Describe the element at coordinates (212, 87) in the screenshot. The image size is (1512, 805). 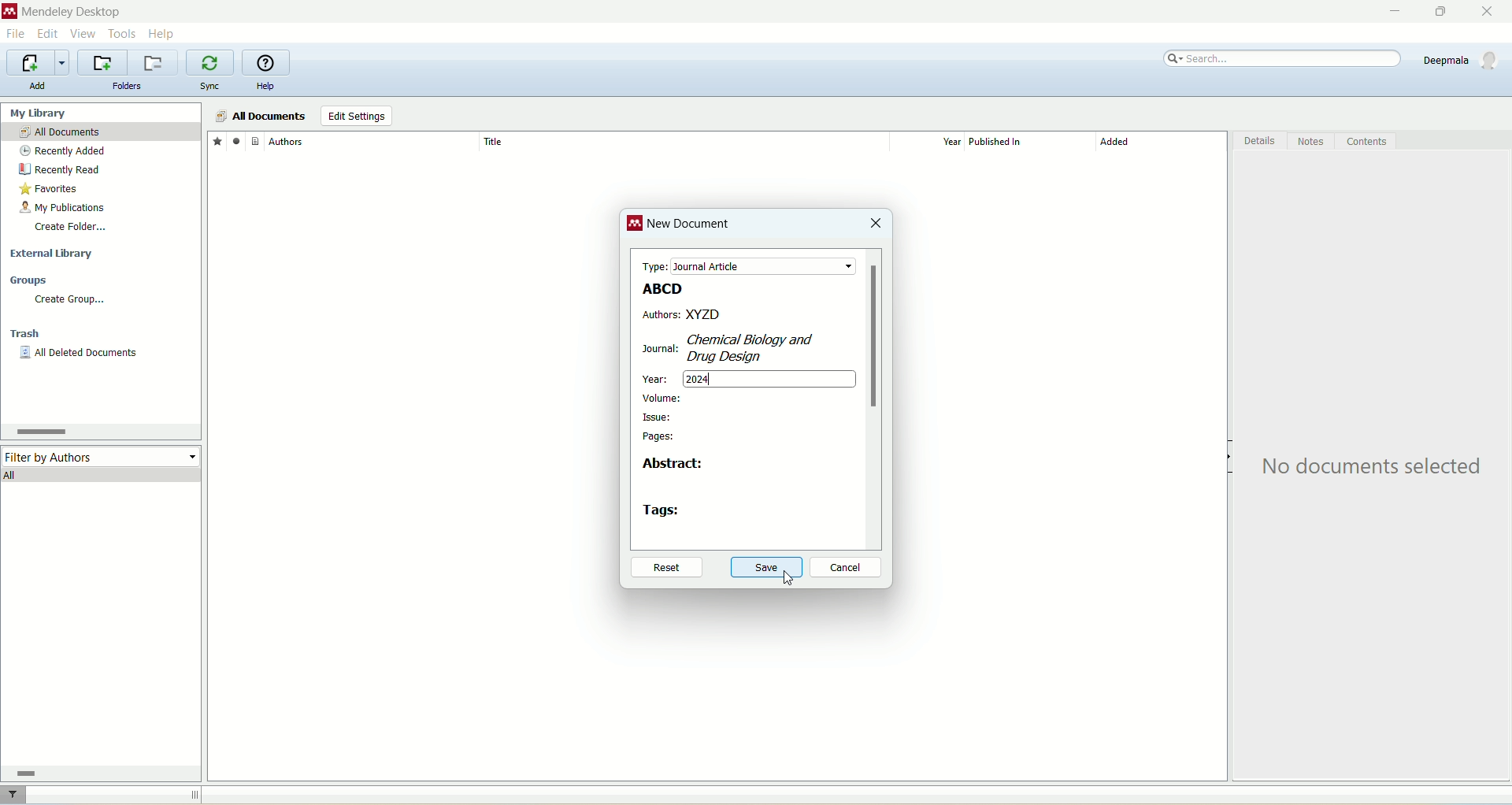
I see `sync` at that location.